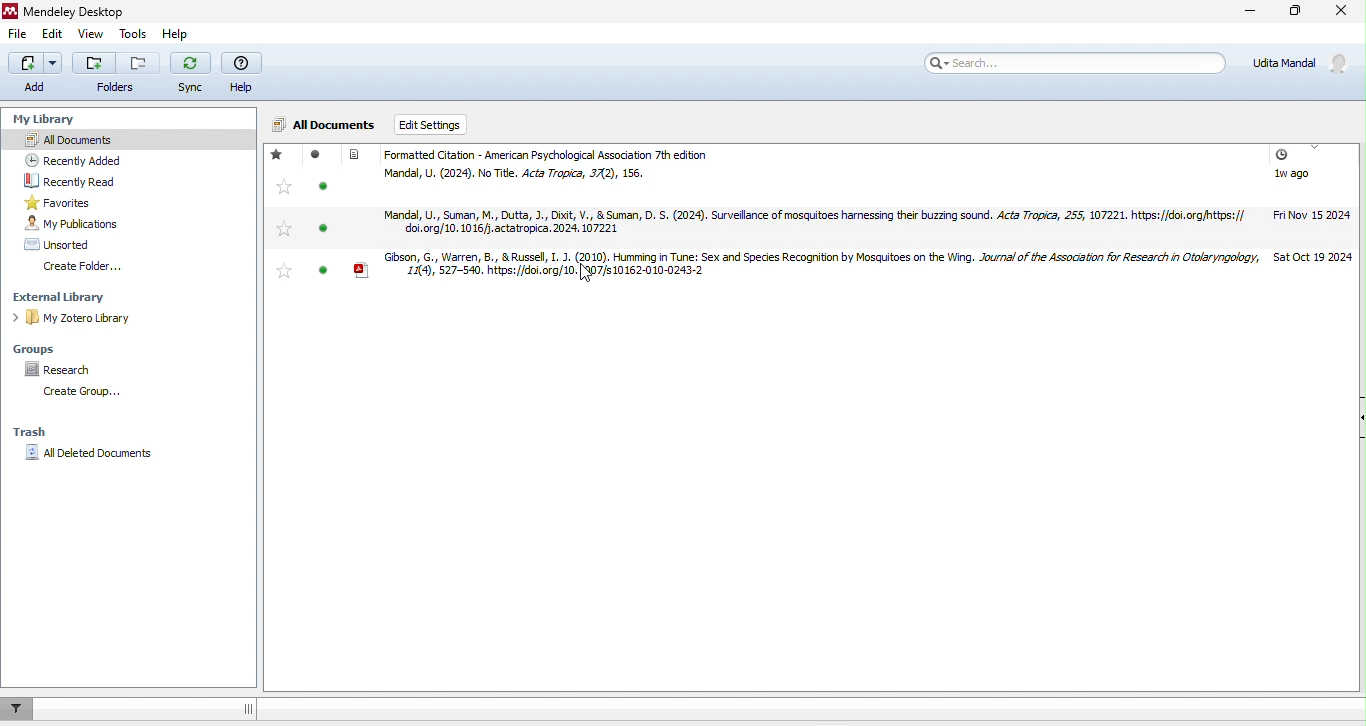  Describe the element at coordinates (326, 123) in the screenshot. I see `all documents` at that location.